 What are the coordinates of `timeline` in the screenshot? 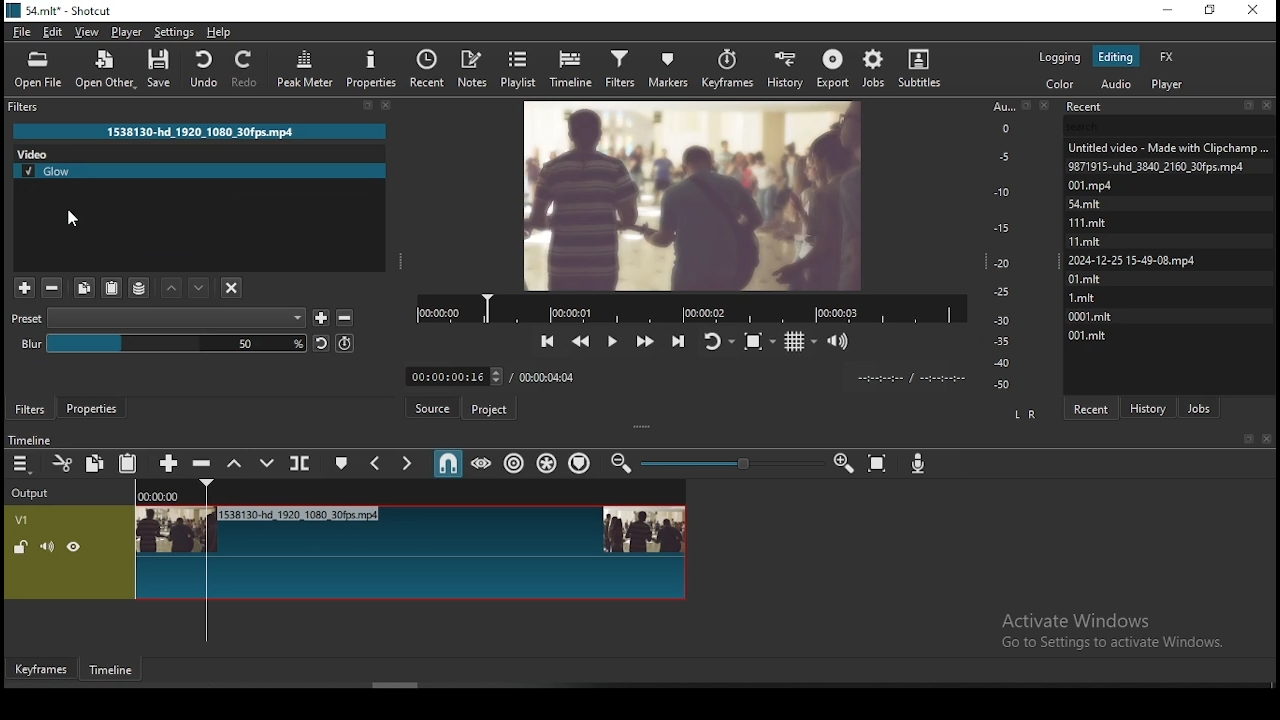 It's located at (28, 441).